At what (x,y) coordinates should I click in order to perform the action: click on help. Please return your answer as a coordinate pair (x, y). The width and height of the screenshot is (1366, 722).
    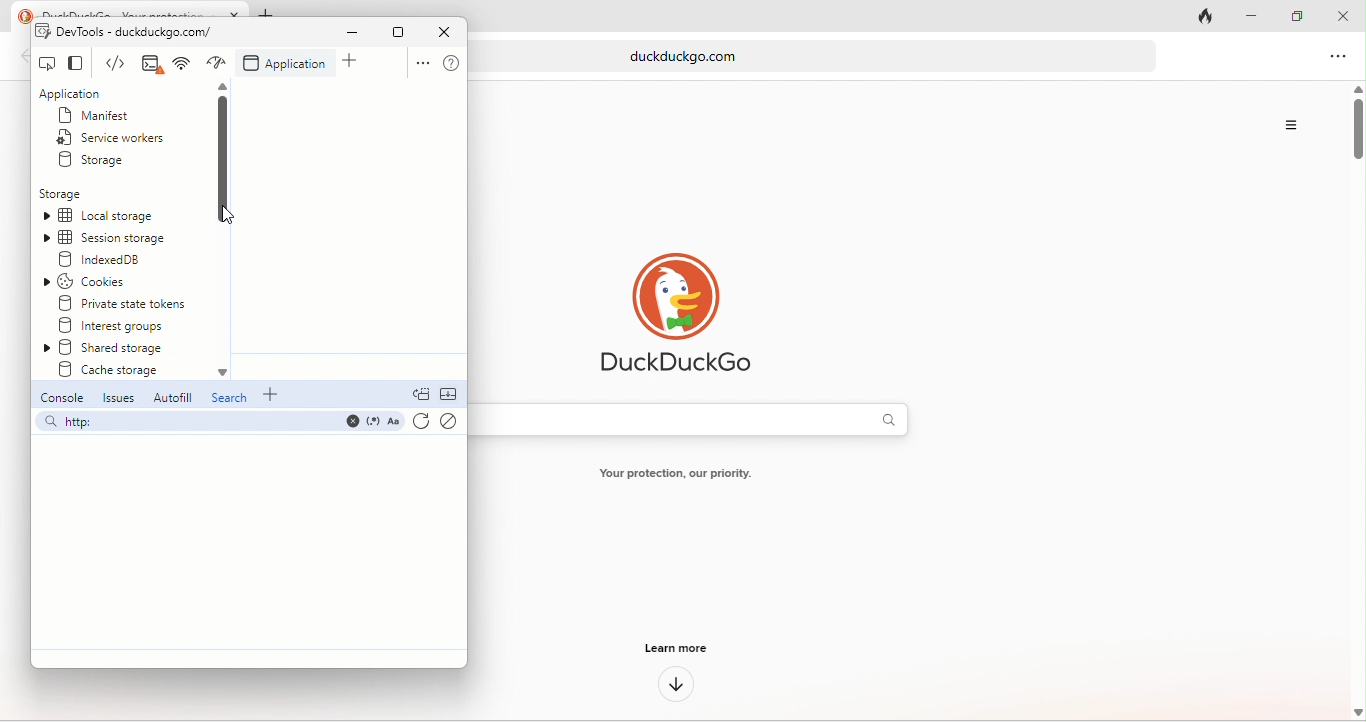
    Looking at the image, I should click on (452, 64).